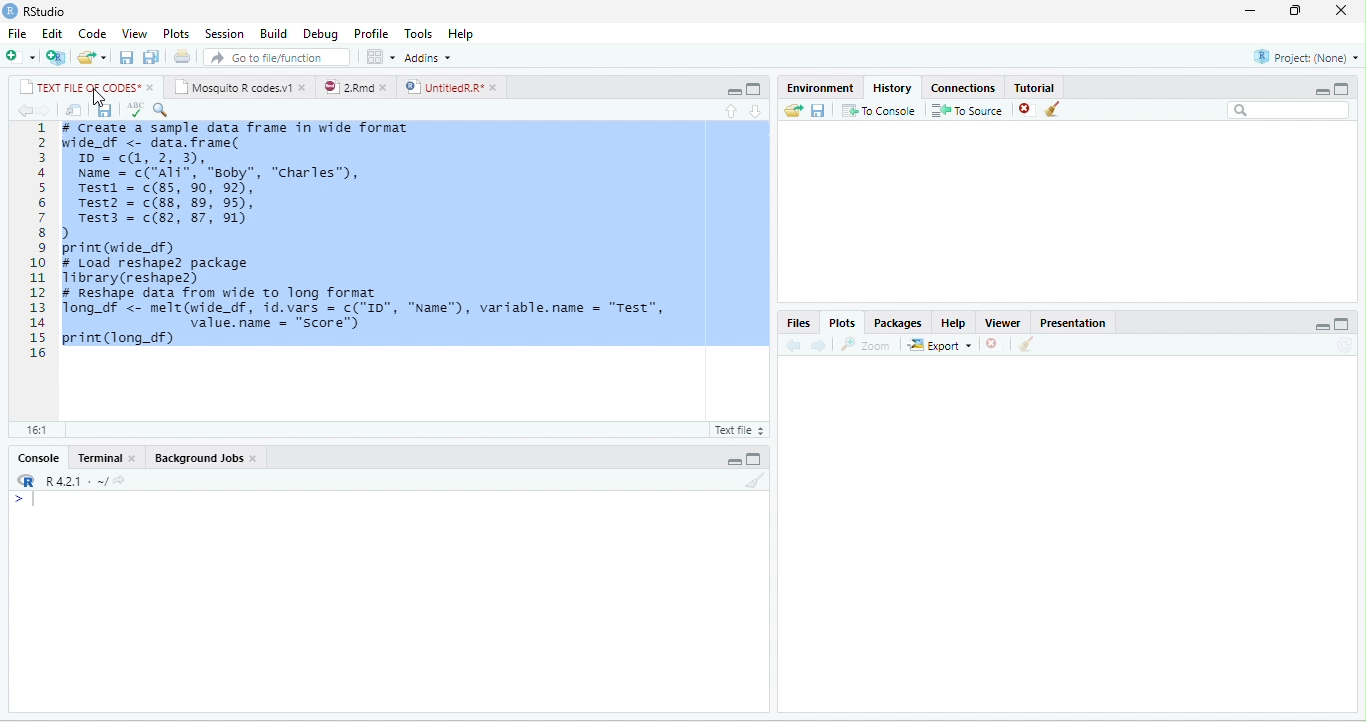 The height and width of the screenshot is (722, 1366). Describe the element at coordinates (92, 57) in the screenshot. I see `open file` at that location.